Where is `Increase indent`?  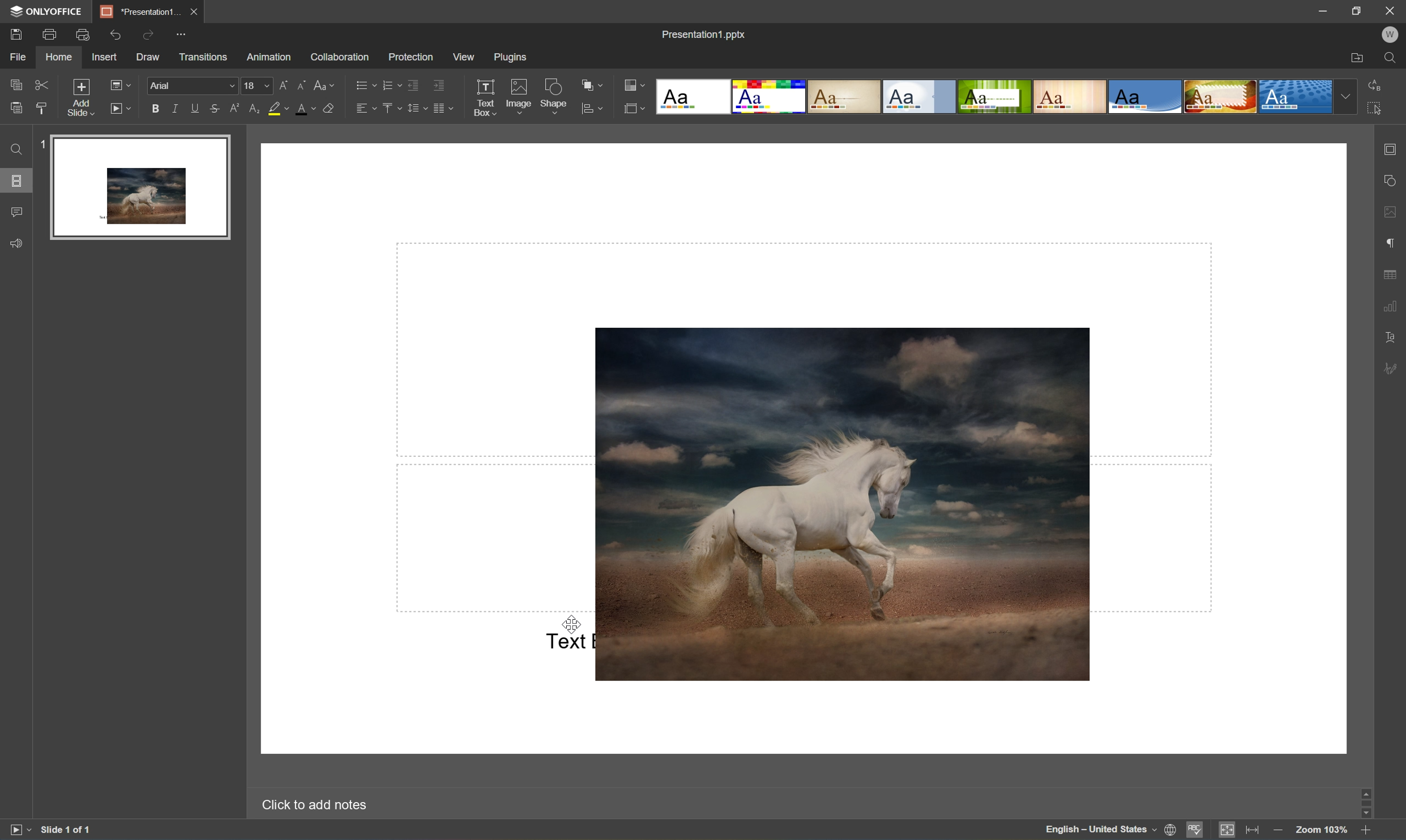
Increase indent is located at coordinates (441, 82).